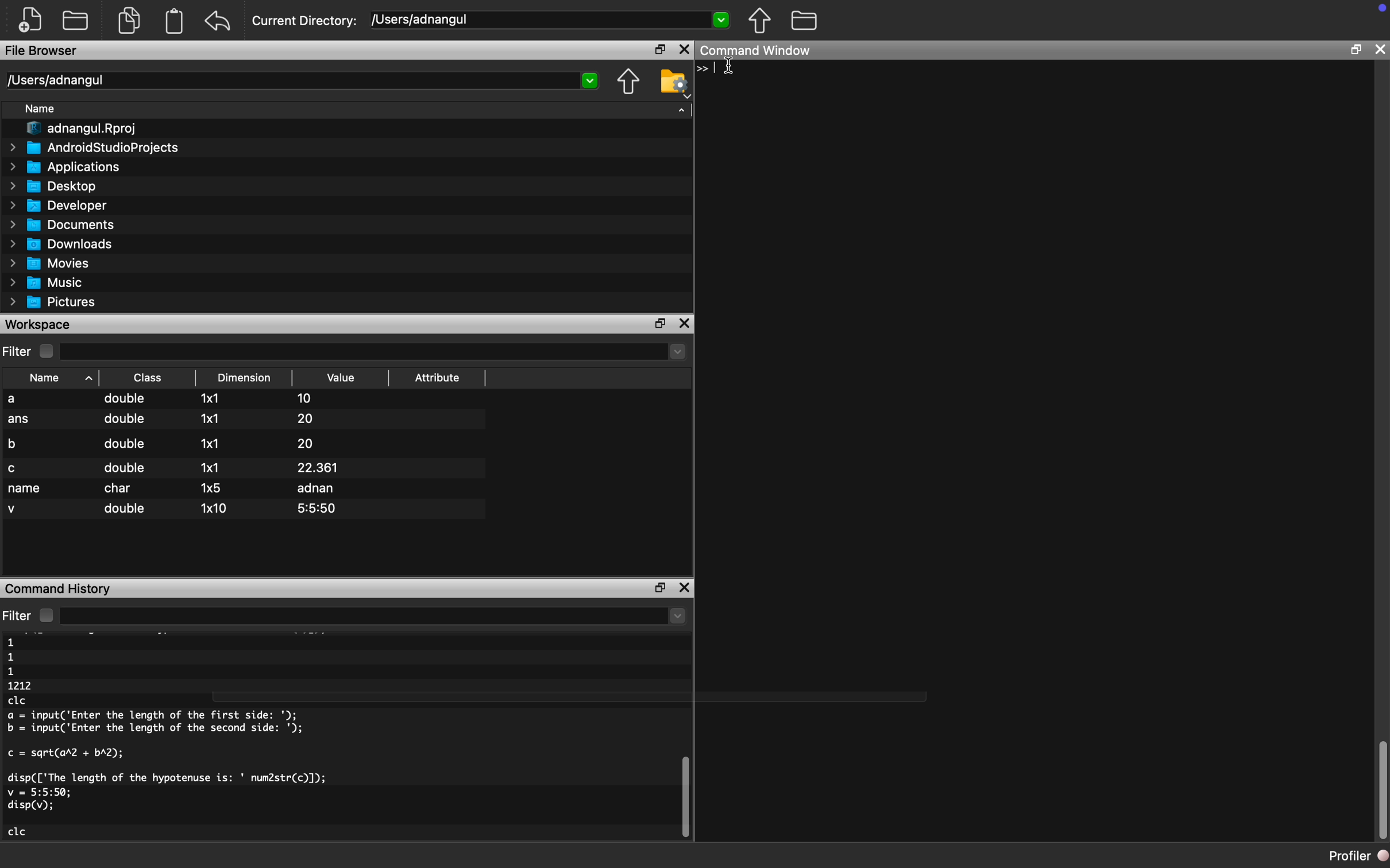 The height and width of the screenshot is (868, 1390). What do you see at coordinates (706, 68) in the screenshot?
I see `Typing cursor` at bounding box center [706, 68].